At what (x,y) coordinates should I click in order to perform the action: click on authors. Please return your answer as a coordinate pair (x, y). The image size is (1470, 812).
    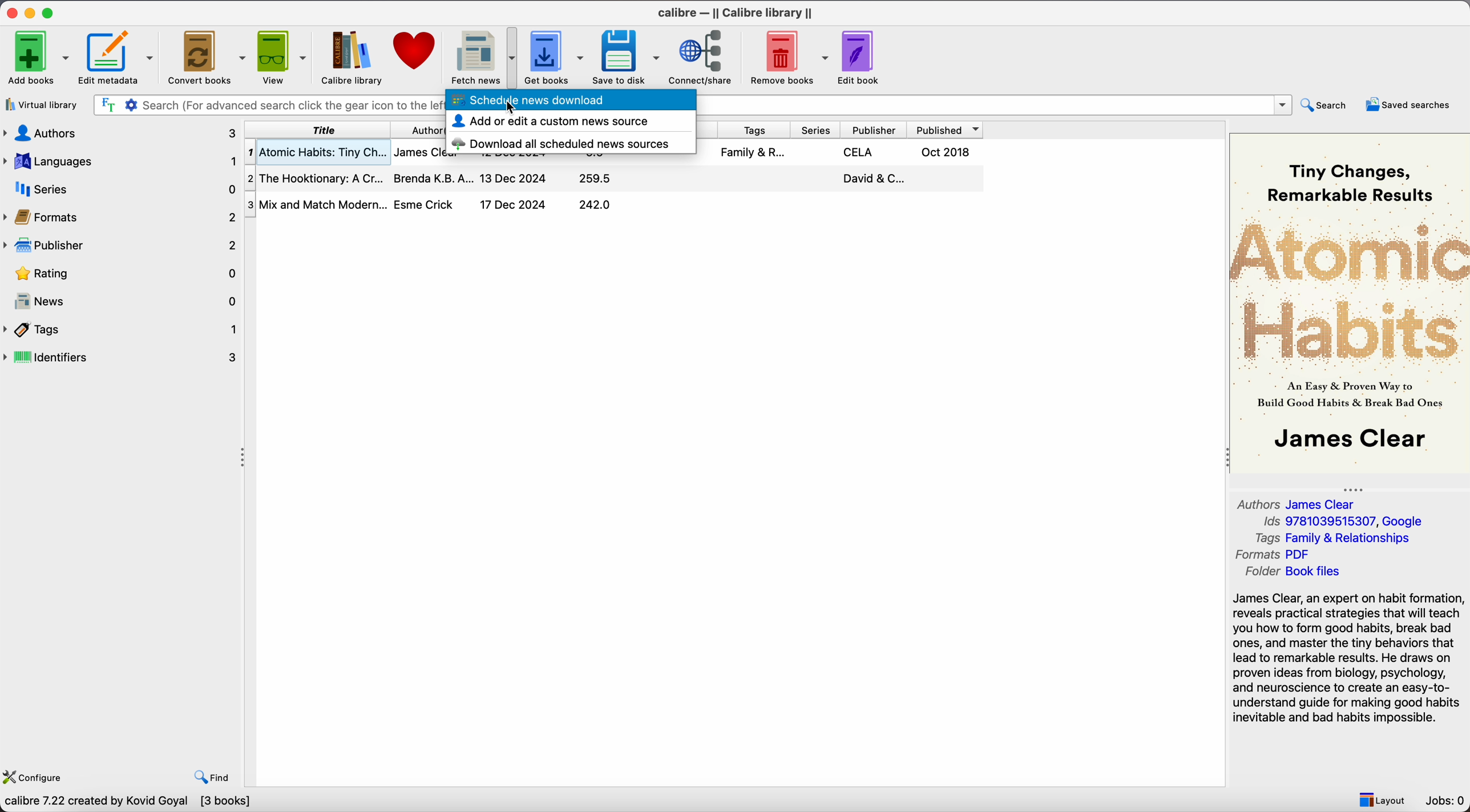
    Looking at the image, I should click on (122, 134).